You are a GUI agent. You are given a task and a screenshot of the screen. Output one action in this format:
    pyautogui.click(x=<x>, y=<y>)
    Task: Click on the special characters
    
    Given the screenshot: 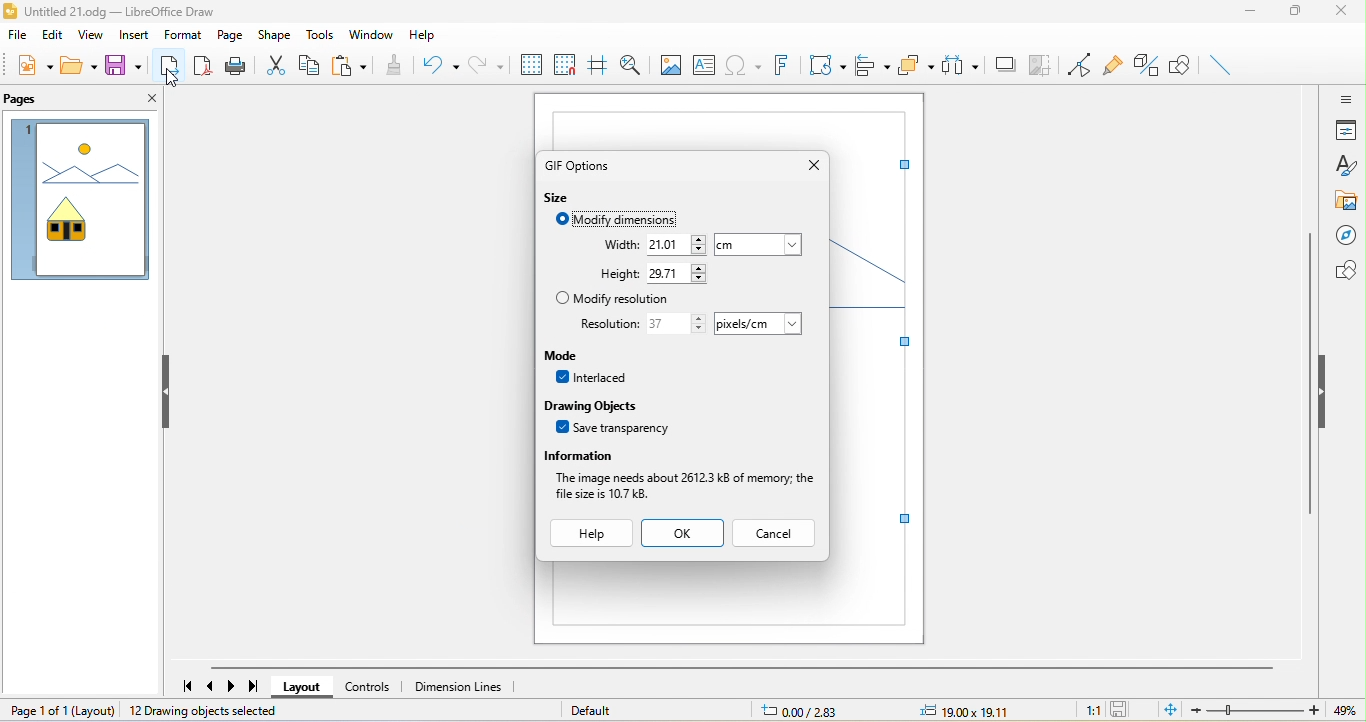 What is the action you would take?
    pyautogui.click(x=743, y=65)
    